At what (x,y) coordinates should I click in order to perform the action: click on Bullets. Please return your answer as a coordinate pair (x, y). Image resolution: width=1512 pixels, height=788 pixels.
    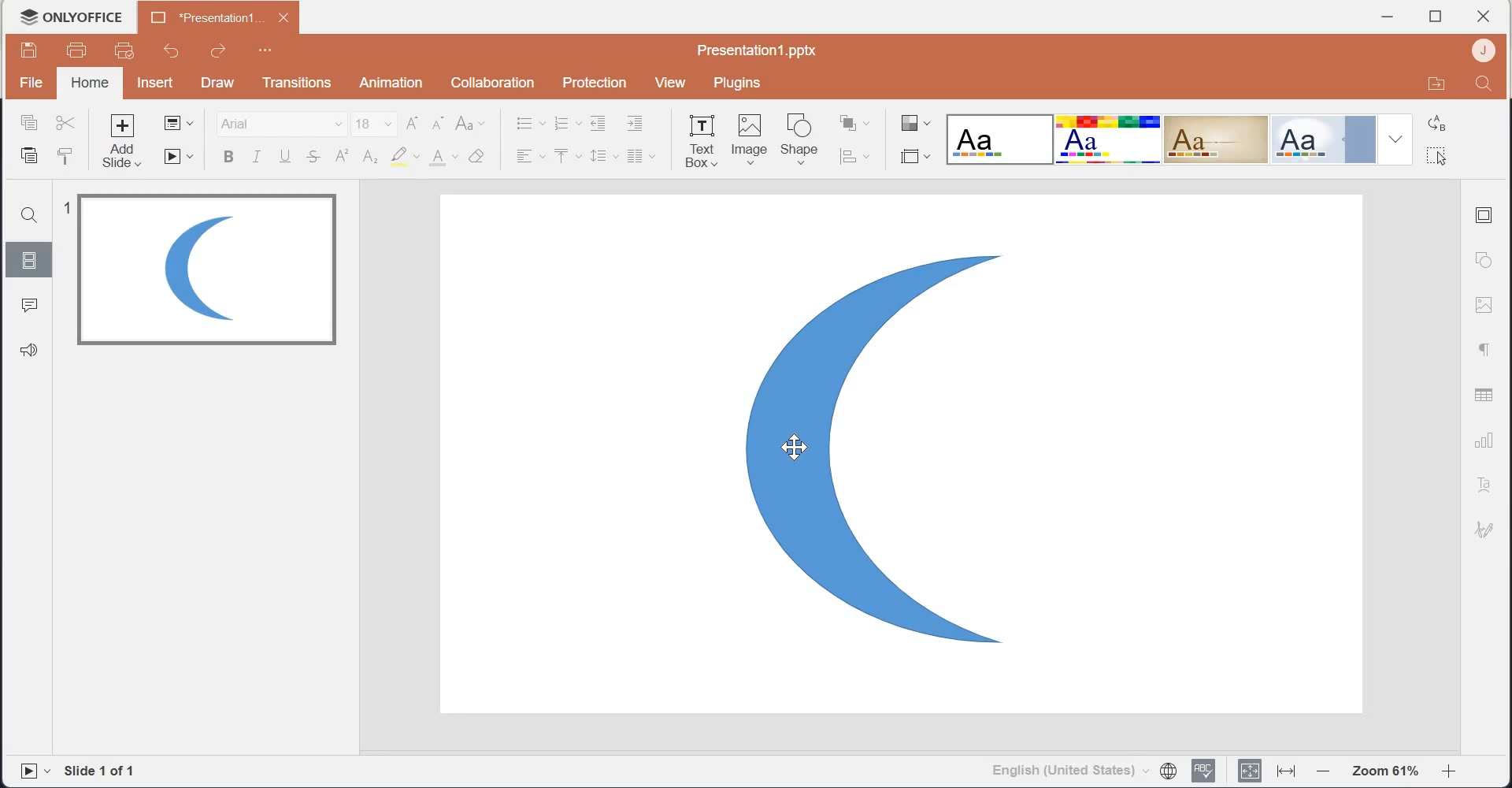
    Looking at the image, I should click on (530, 121).